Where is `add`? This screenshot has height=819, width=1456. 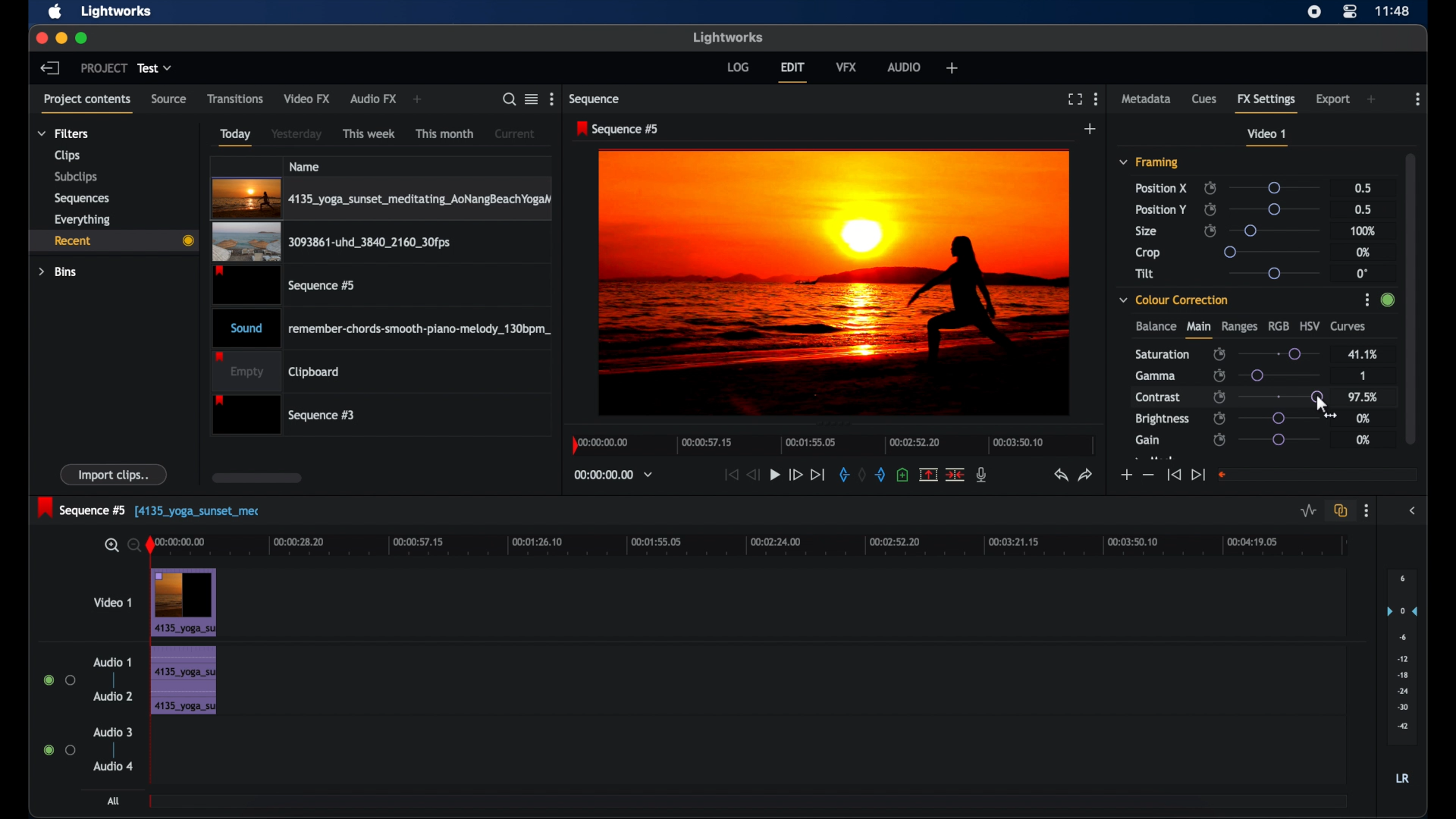 add is located at coordinates (1373, 99).